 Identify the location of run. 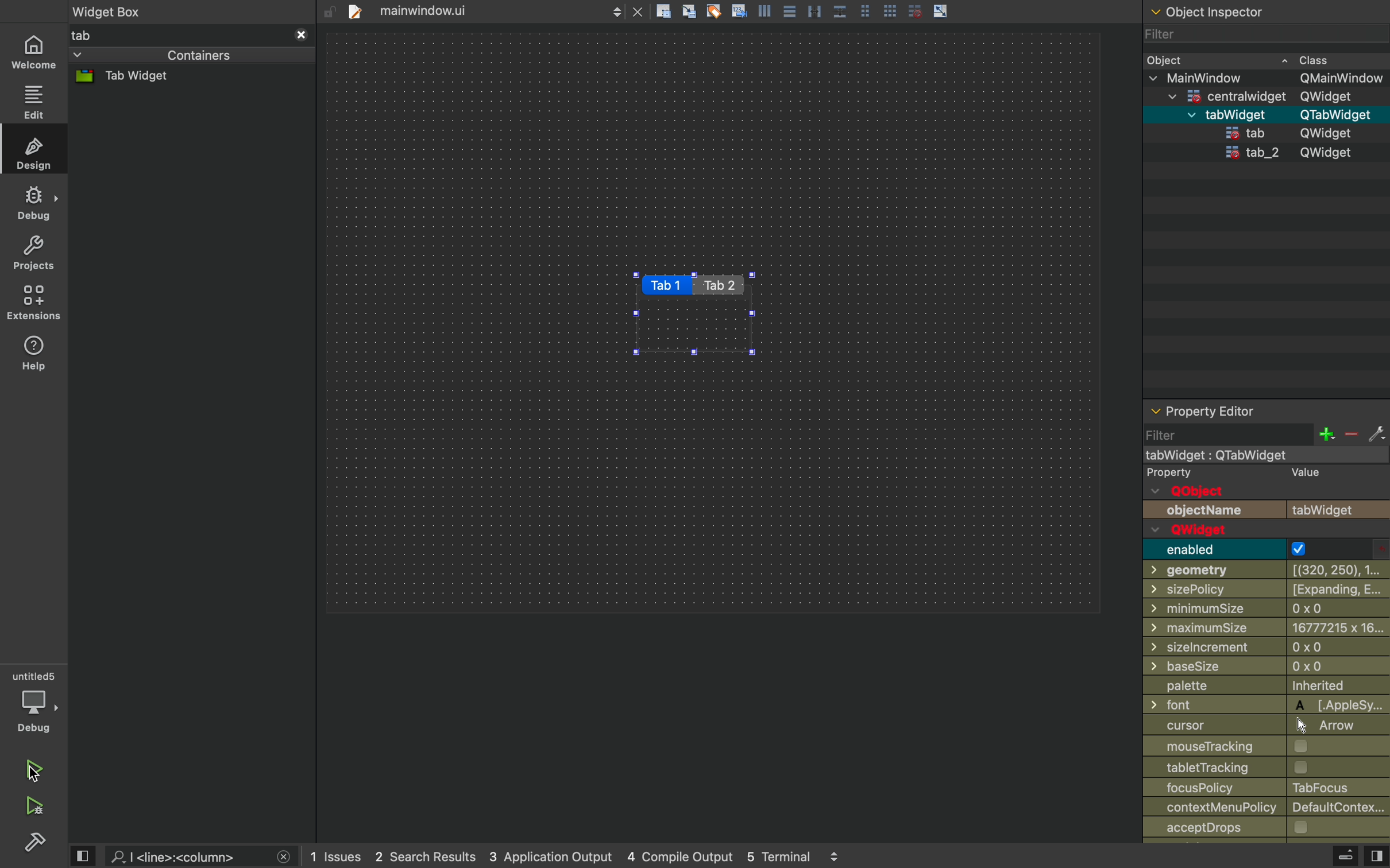
(36, 772).